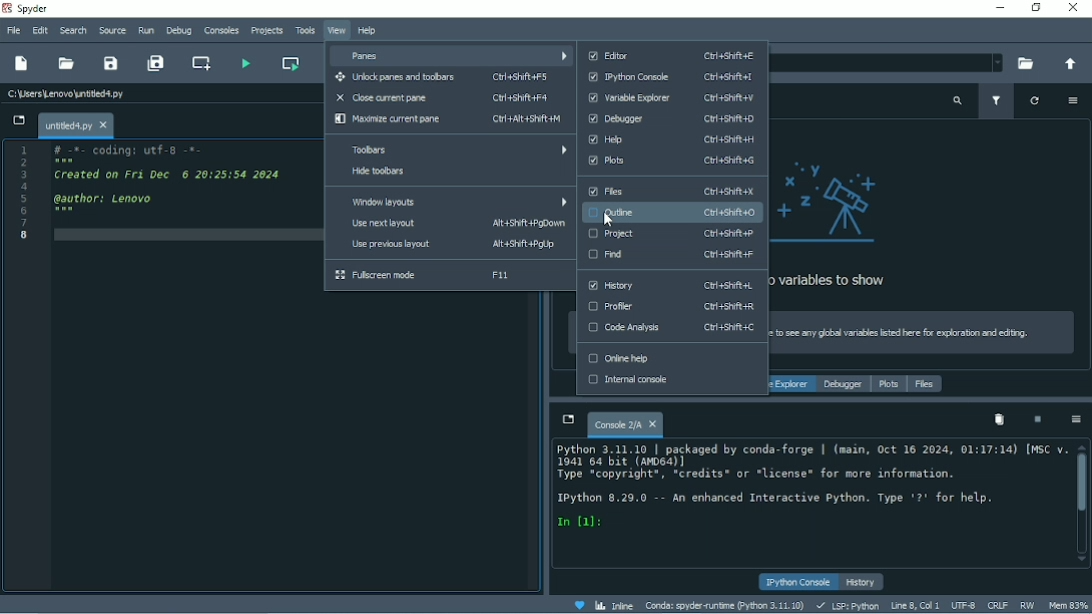  Describe the element at coordinates (887, 63) in the screenshot. I see `File location` at that location.